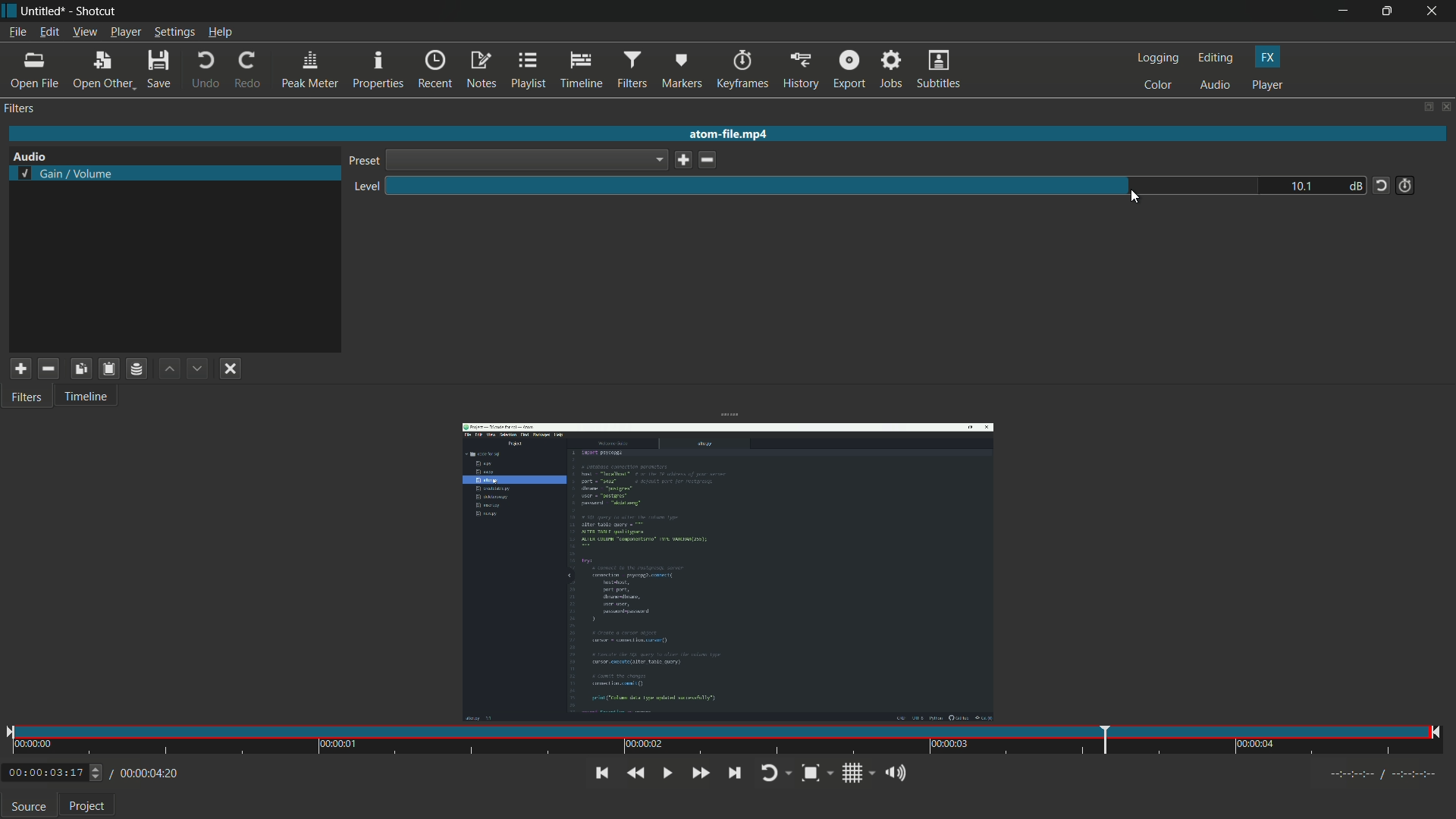 Image resolution: width=1456 pixels, height=819 pixels. Describe the element at coordinates (727, 573) in the screenshot. I see `imported video` at that location.